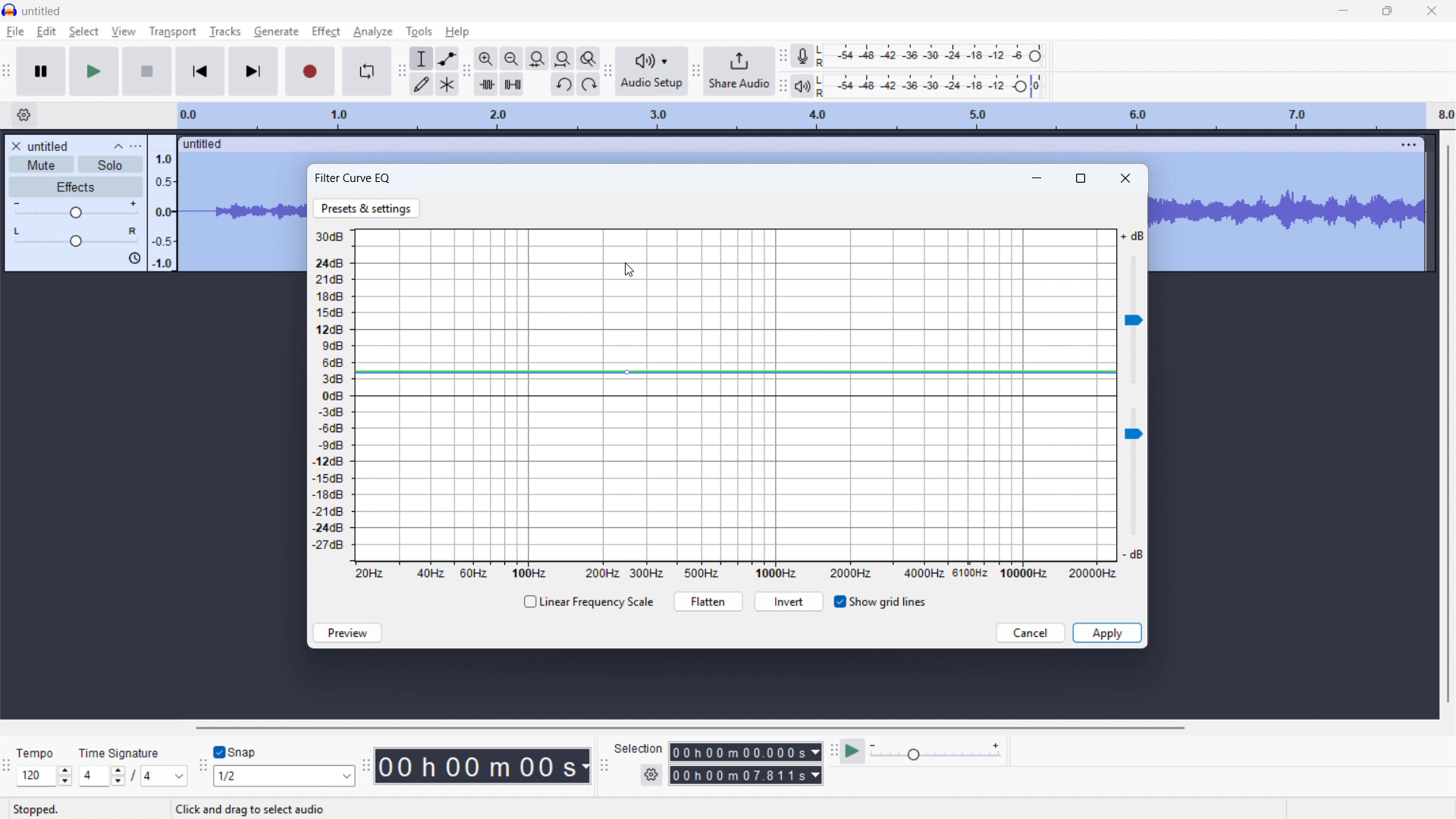 The height and width of the screenshot is (819, 1456). Describe the element at coordinates (333, 394) in the screenshot. I see `Amplitude ` at that location.